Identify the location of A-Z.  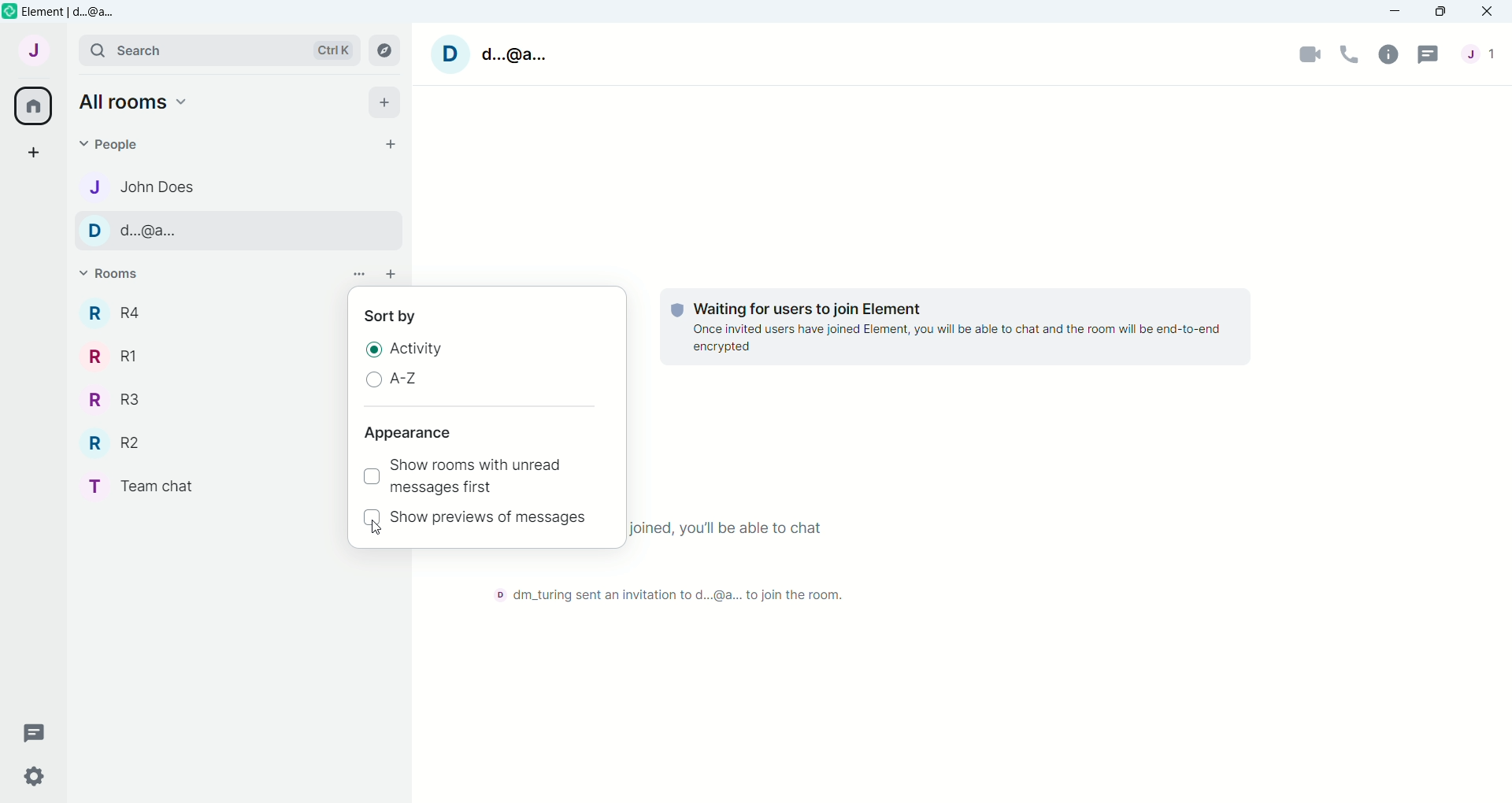
(404, 379).